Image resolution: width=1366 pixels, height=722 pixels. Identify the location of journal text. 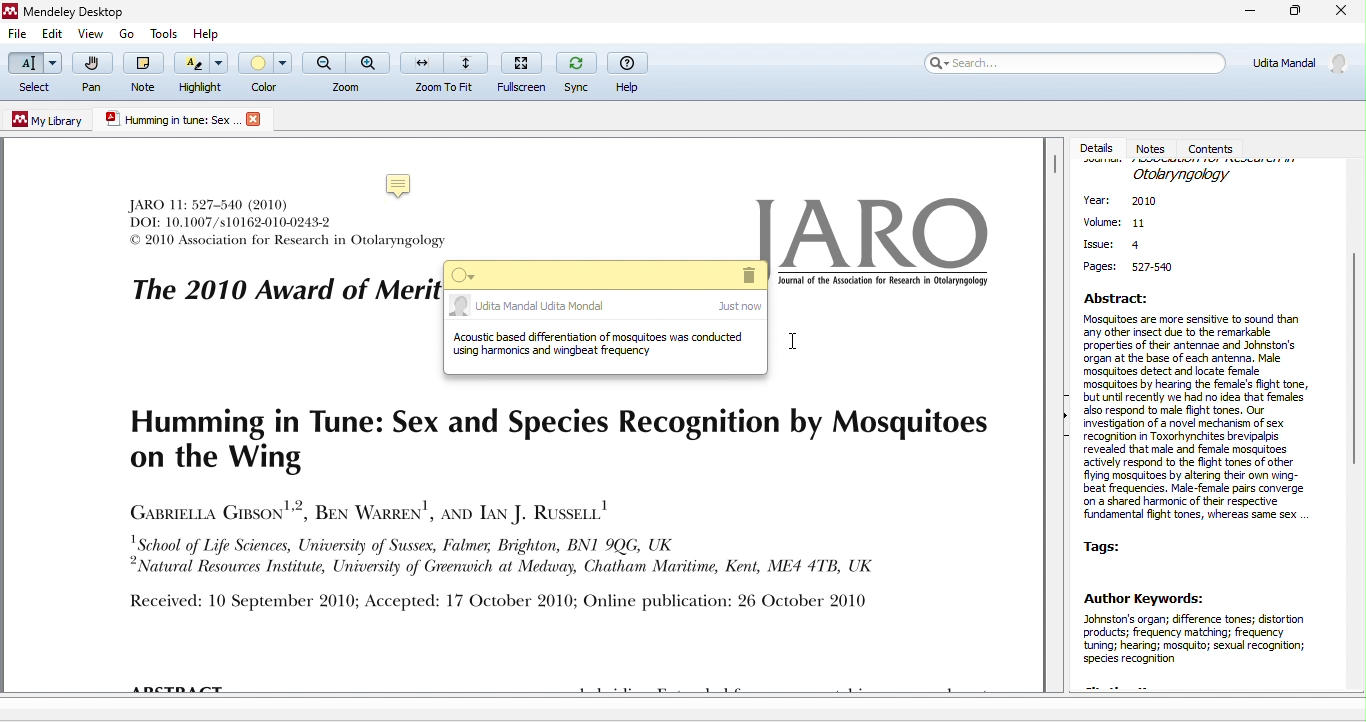
(551, 512).